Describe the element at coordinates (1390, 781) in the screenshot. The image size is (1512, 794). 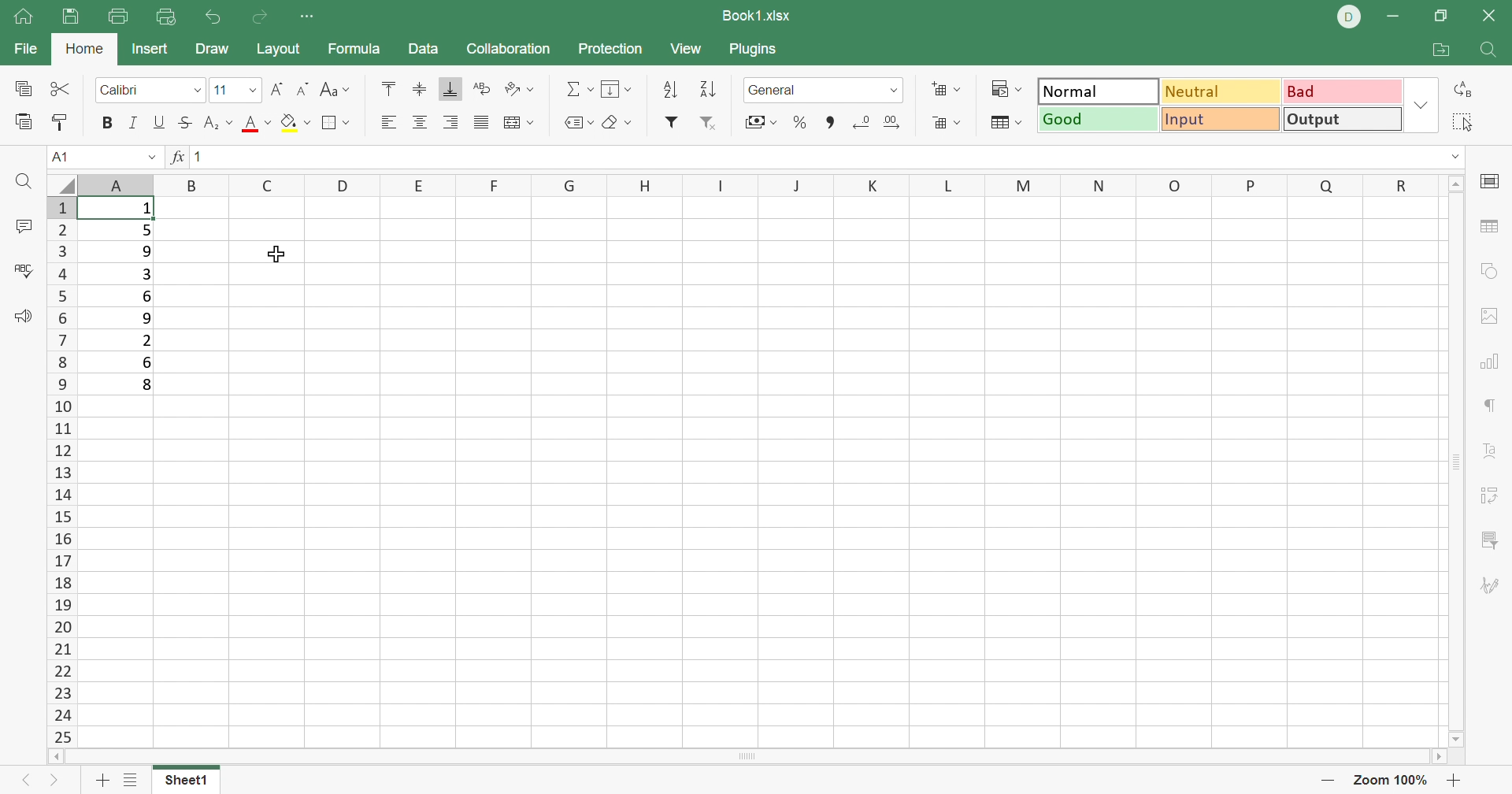
I see `Zoom 100%` at that location.